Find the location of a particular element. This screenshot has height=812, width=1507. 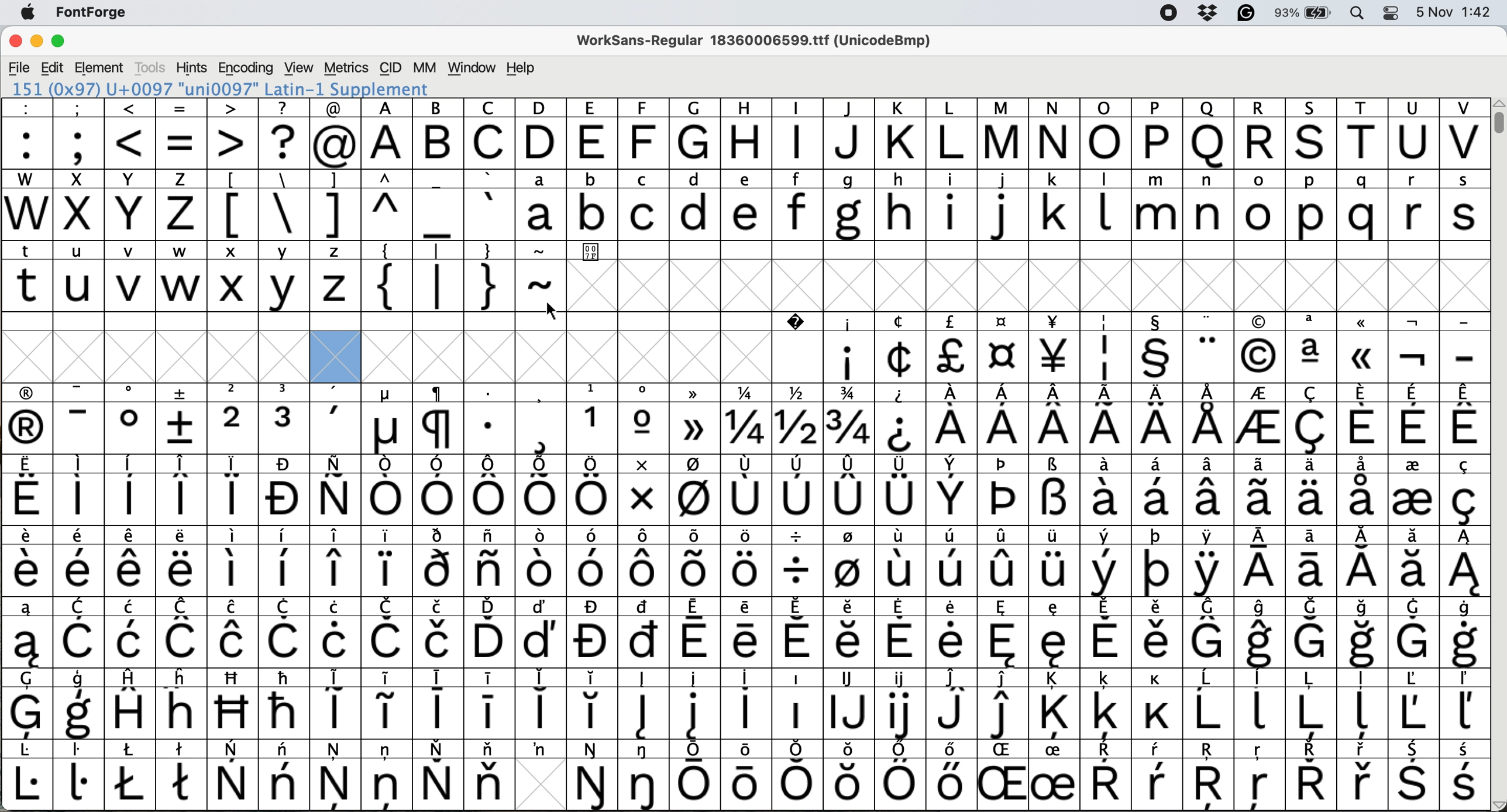

151 (0x97) U+0097 "uni0097" Latin-1 Supplement is located at coordinates (220, 89).